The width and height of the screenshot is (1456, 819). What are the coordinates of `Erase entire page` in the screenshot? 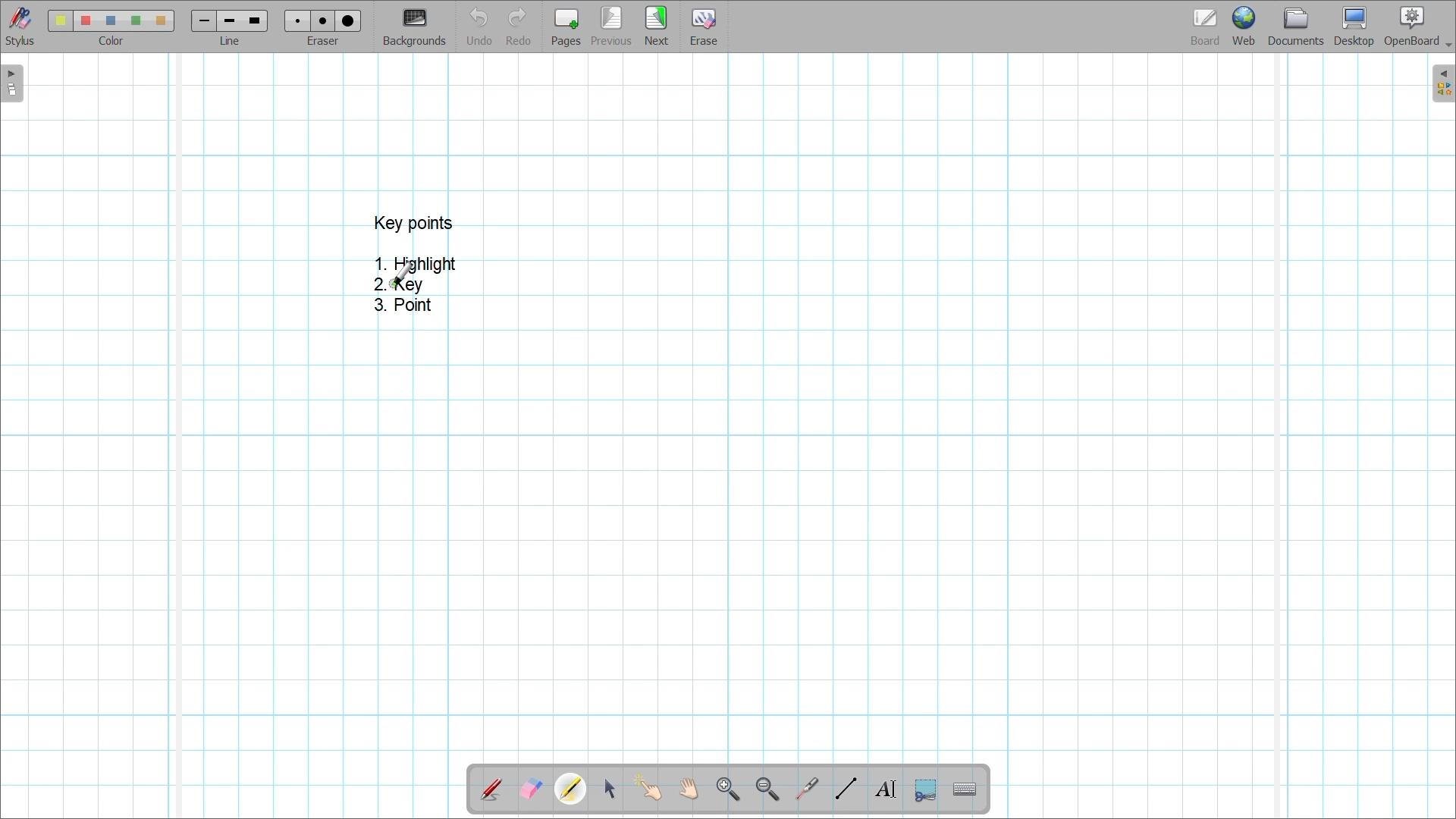 It's located at (703, 27).